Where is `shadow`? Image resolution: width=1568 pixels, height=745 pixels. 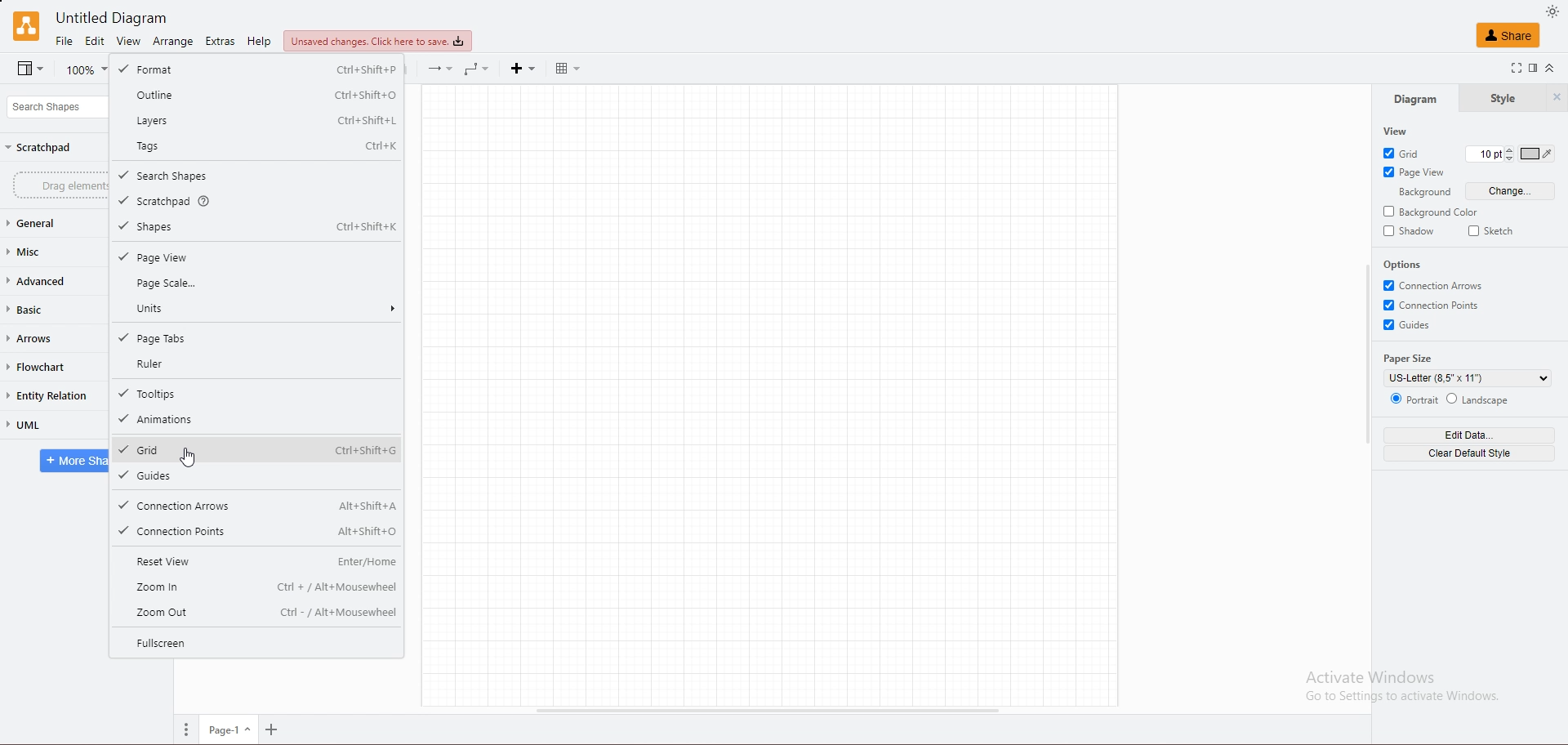 shadow is located at coordinates (1410, 230).